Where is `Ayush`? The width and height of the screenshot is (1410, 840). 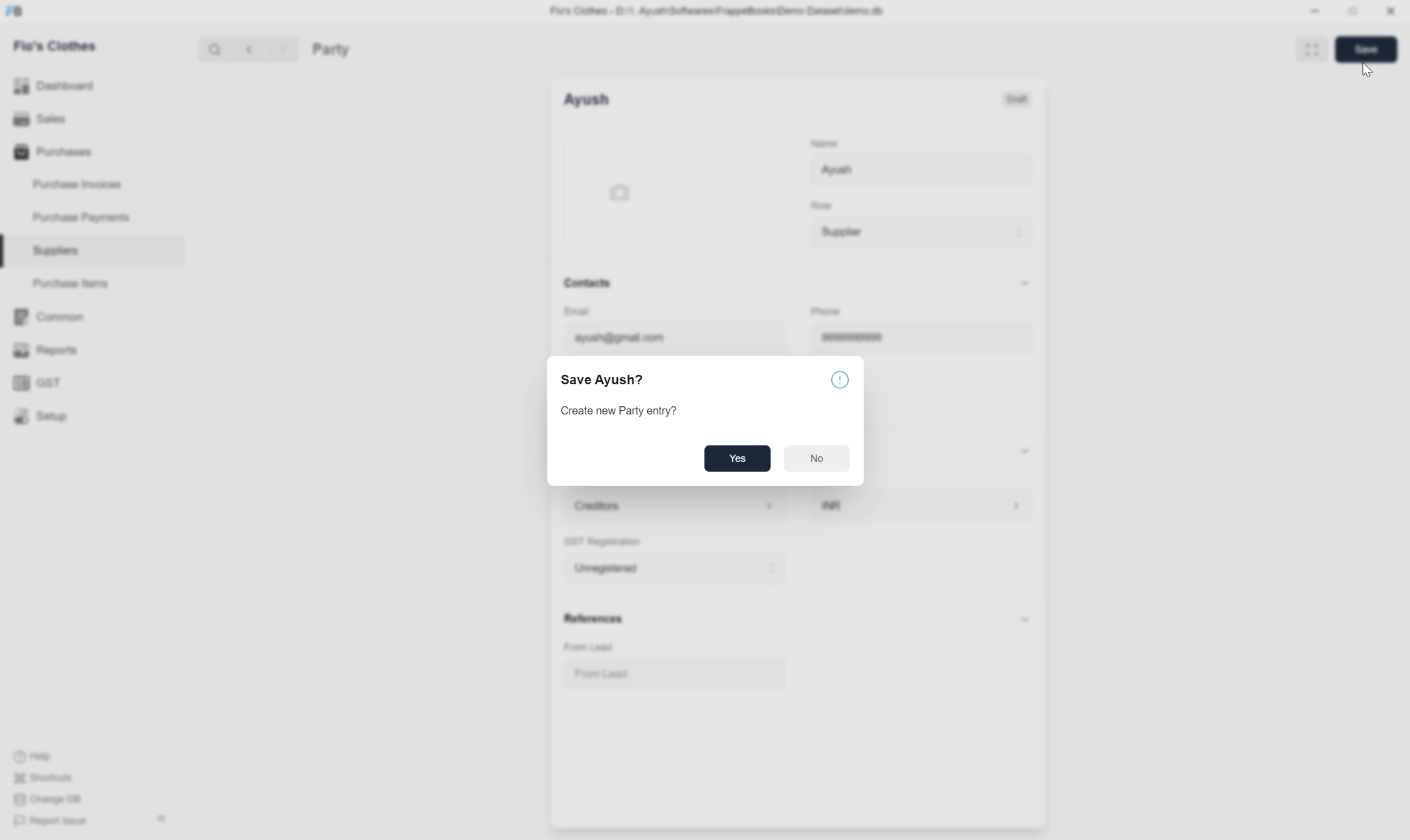 Ayush is located at coordinates (921, 170).